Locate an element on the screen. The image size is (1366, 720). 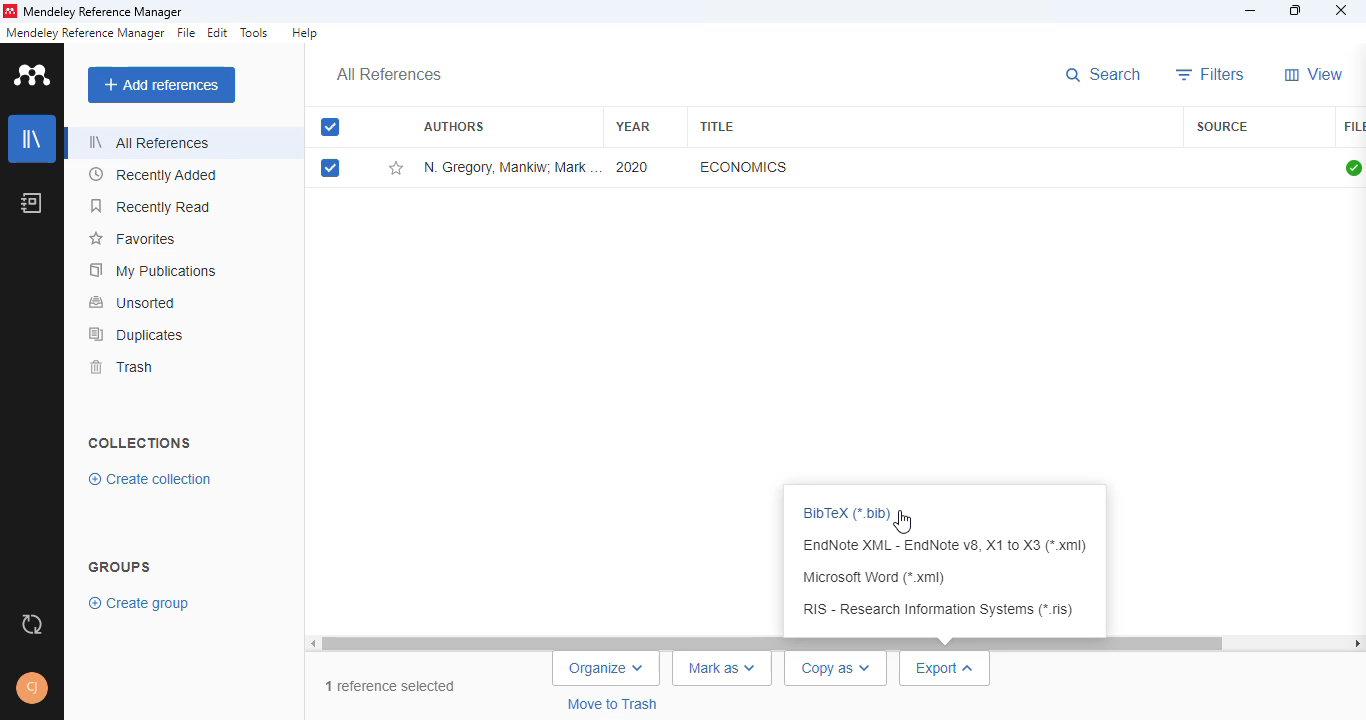
organize is located at coordinates (606, 668).